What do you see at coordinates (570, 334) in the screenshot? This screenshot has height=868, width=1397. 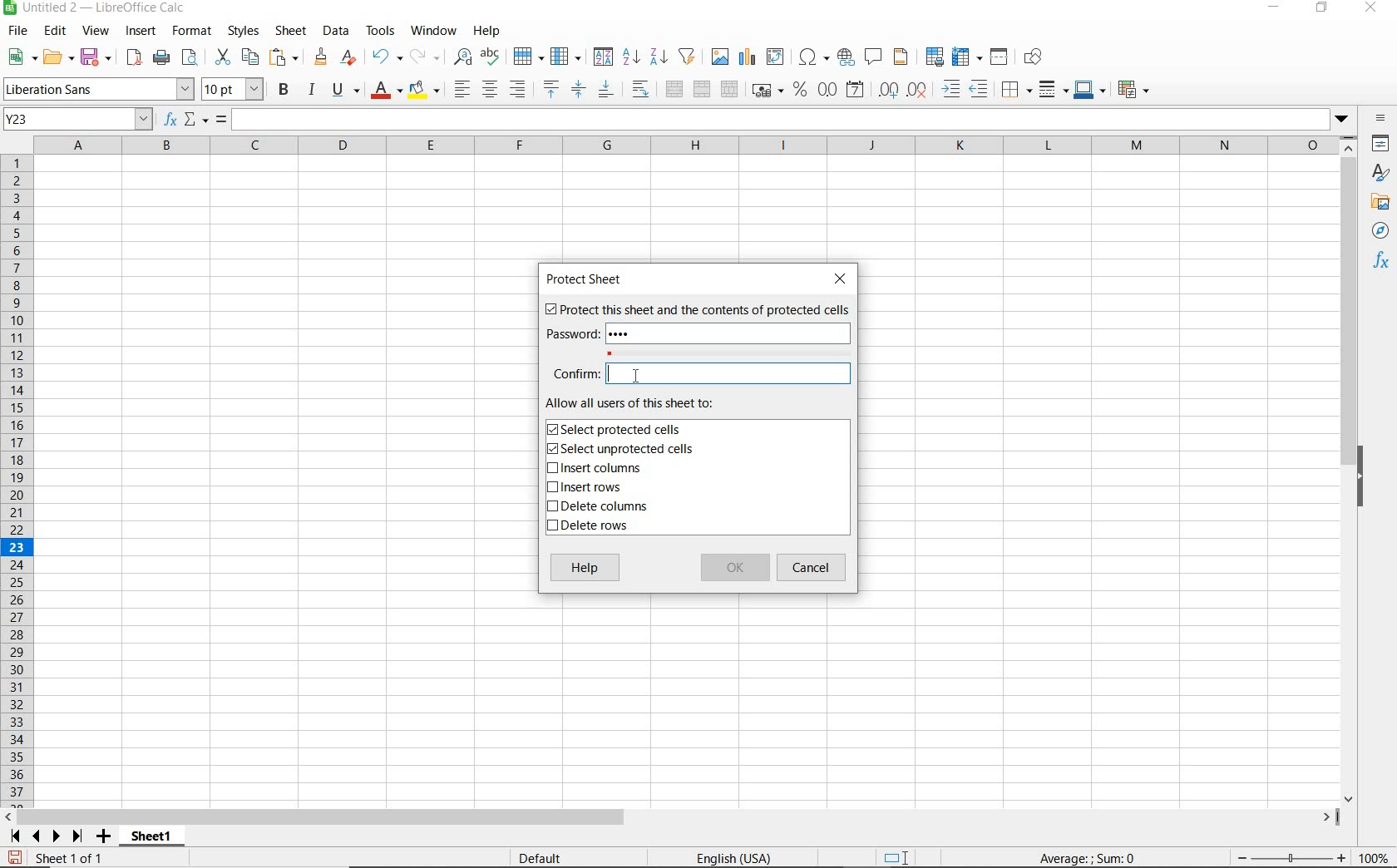 I see `password` at bounding box center [570, 334].